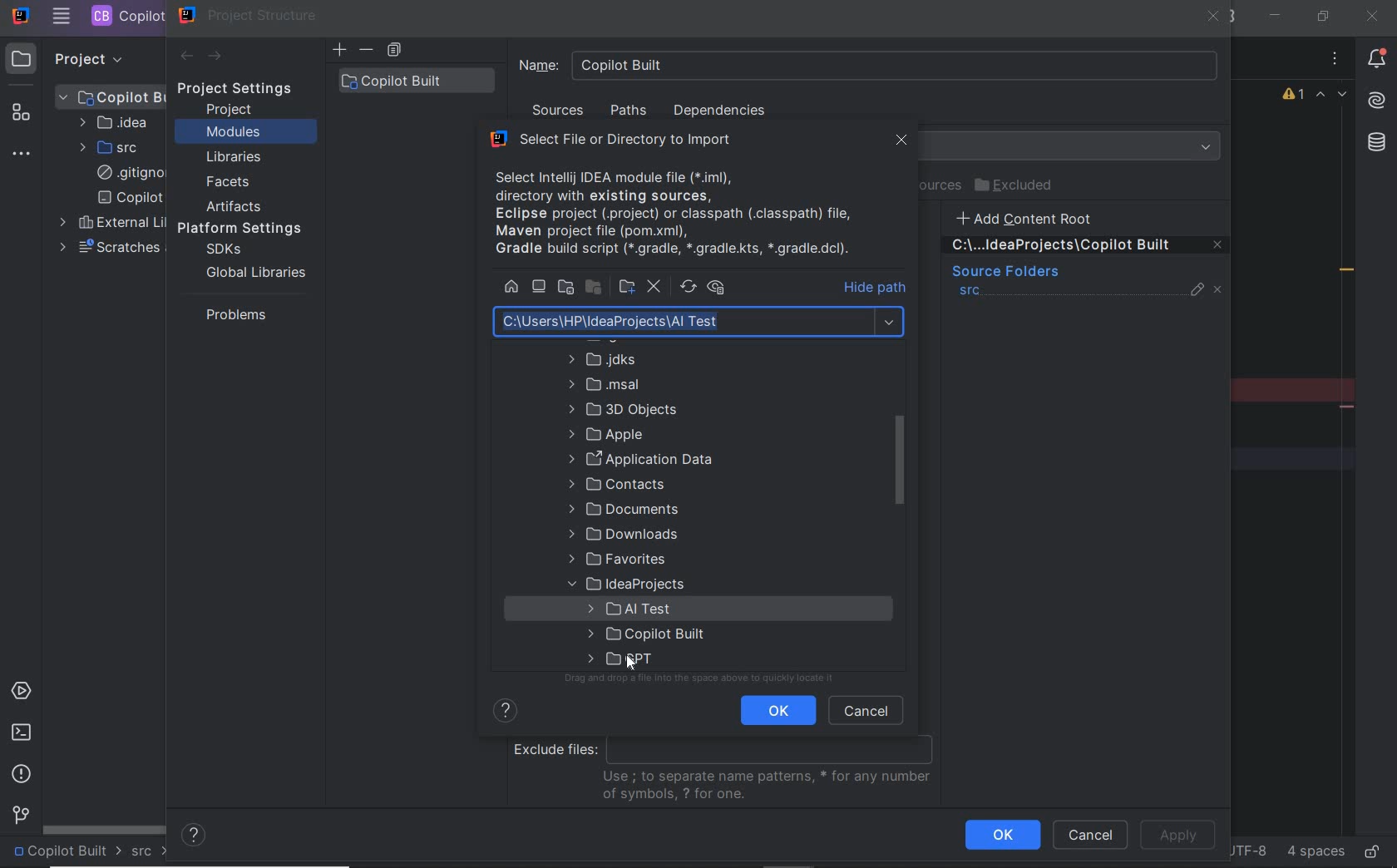 Image resolution: width=1397 pixels, height=868 pixels. Describe the element at coordinates (1214, 18) in the screenshot. I see `close` at that location.